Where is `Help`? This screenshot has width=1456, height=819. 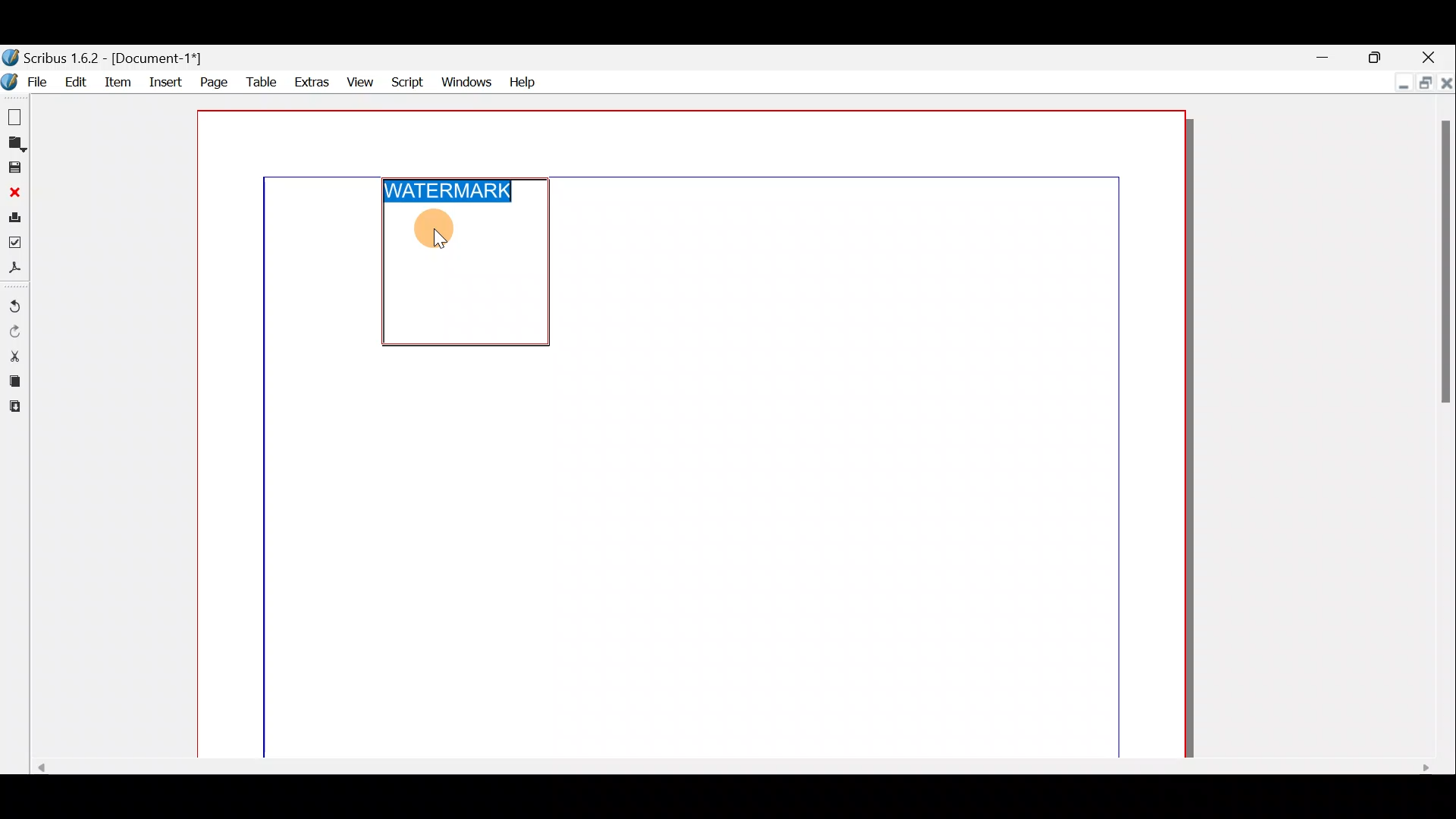 Help is located at coordinates (522, 80).